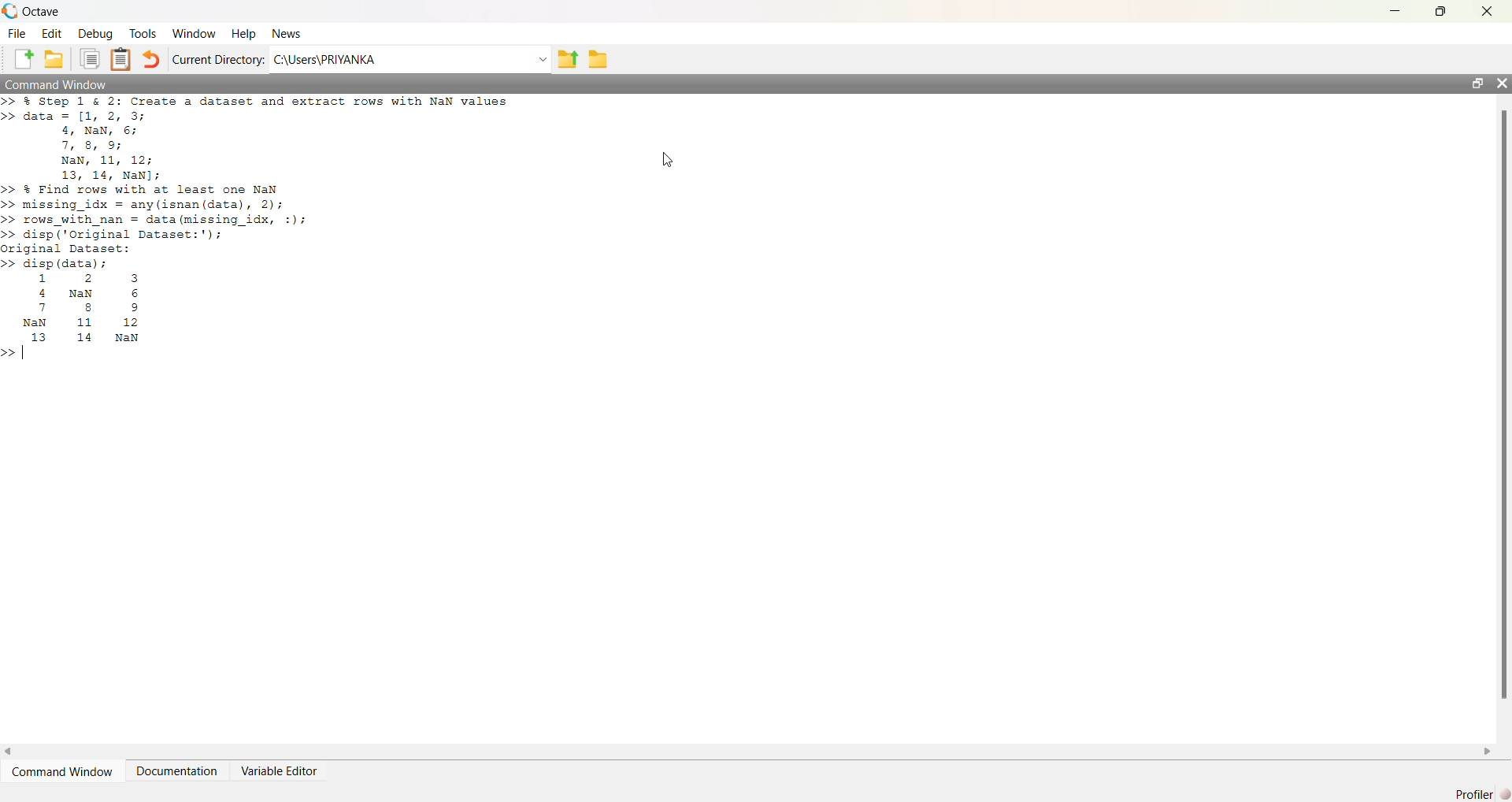 This screenshot has width=1512, height=802. What do you see at coordinates (598, 60) in the screenshot?
I see `folder` at bounding box center [598, 60].